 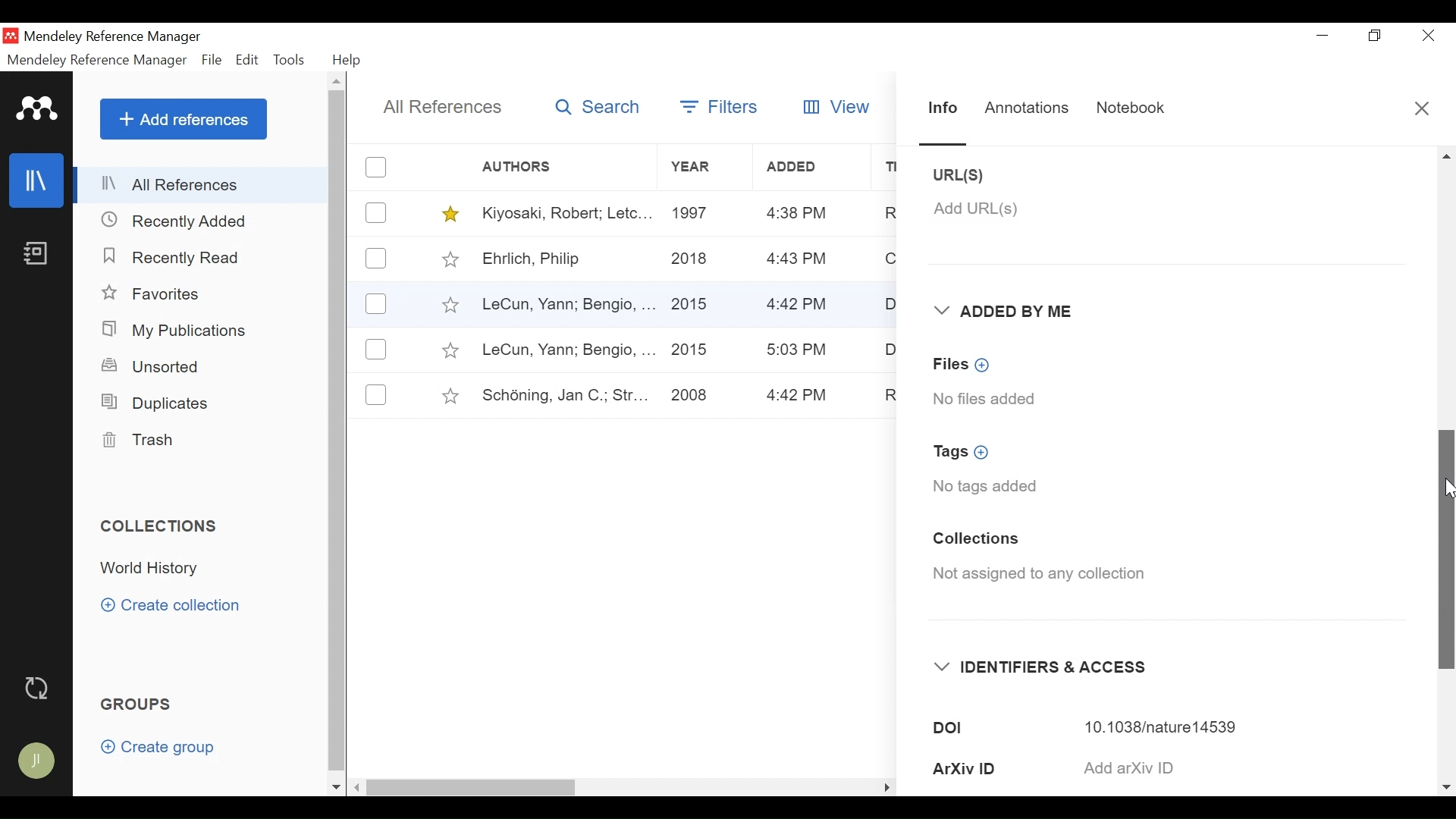 I want to click on URL(S), so click(x=973, y=175).